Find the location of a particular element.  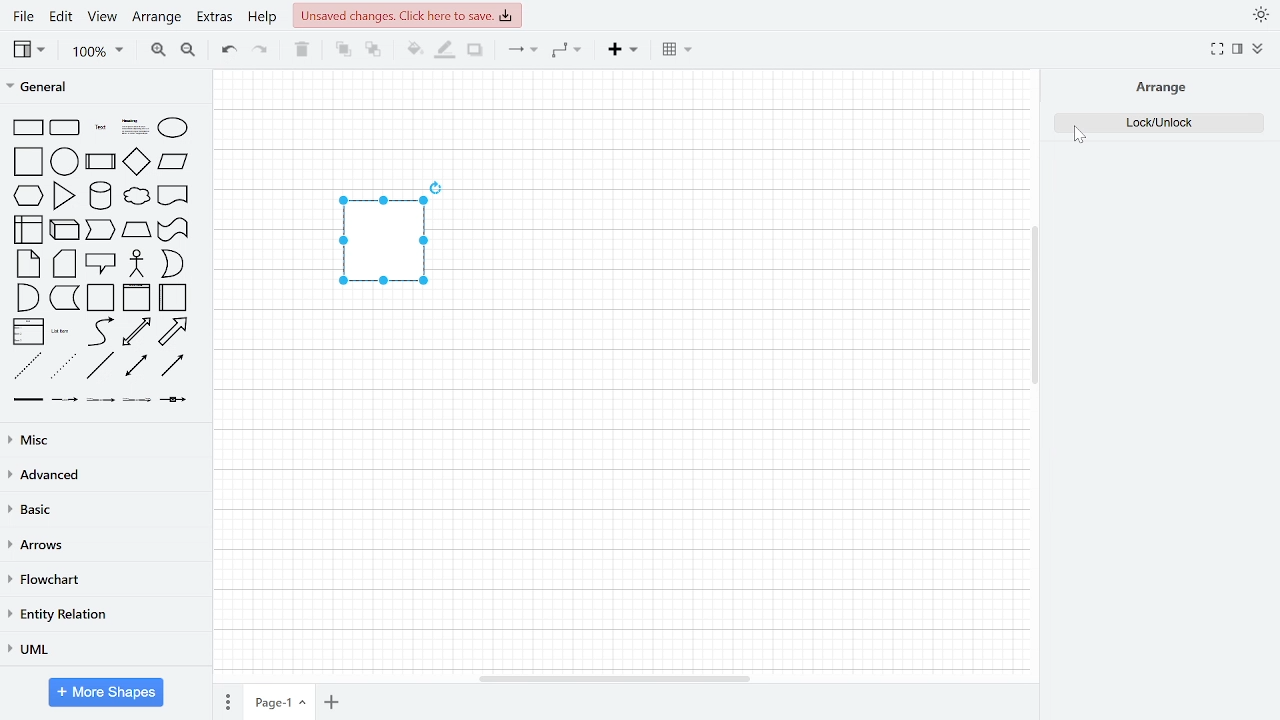

fill color is located at coordinates (412, 48).